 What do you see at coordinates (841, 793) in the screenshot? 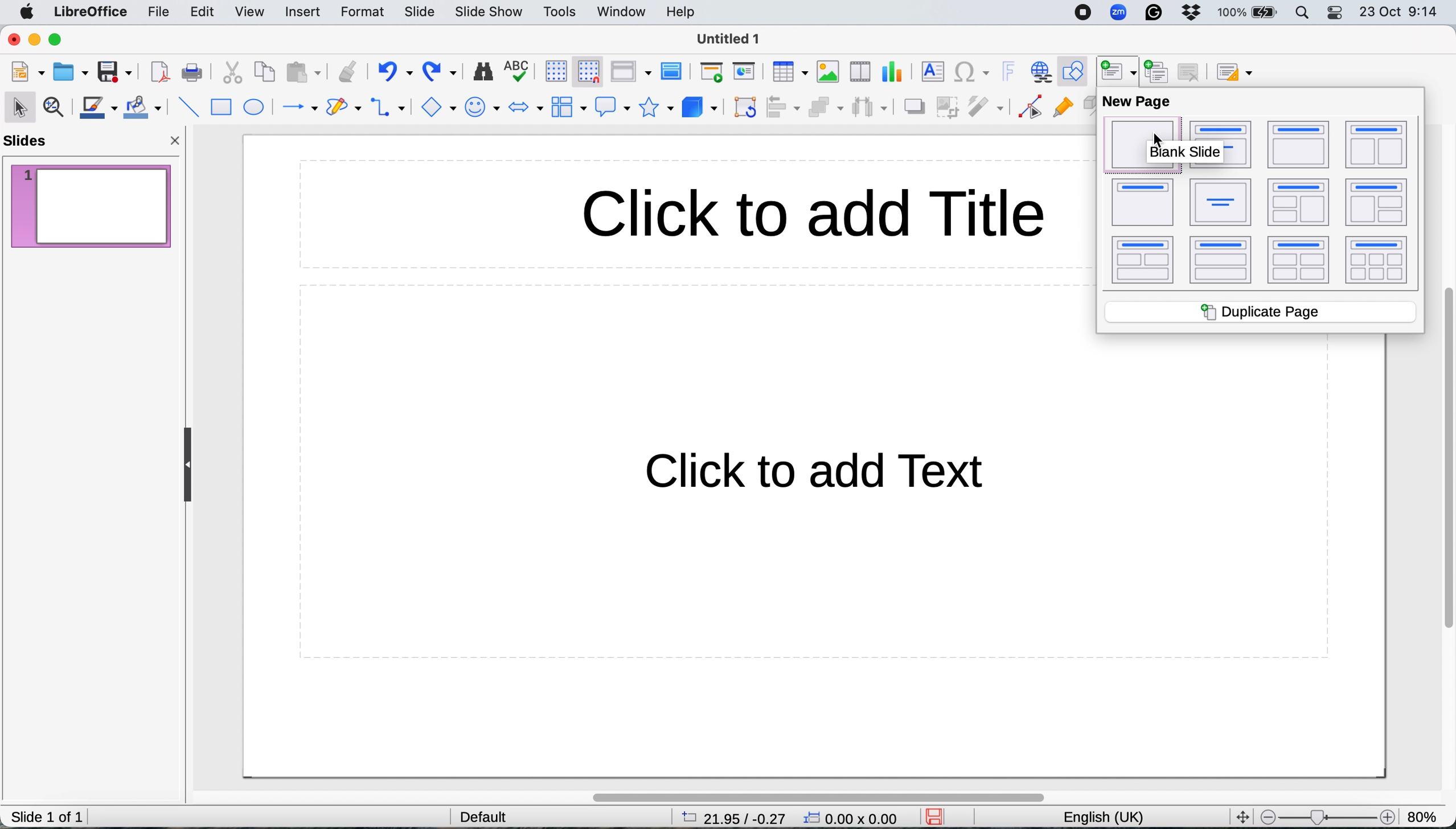
I see `horizontal scroll bar` at bounding box center [841, 793].